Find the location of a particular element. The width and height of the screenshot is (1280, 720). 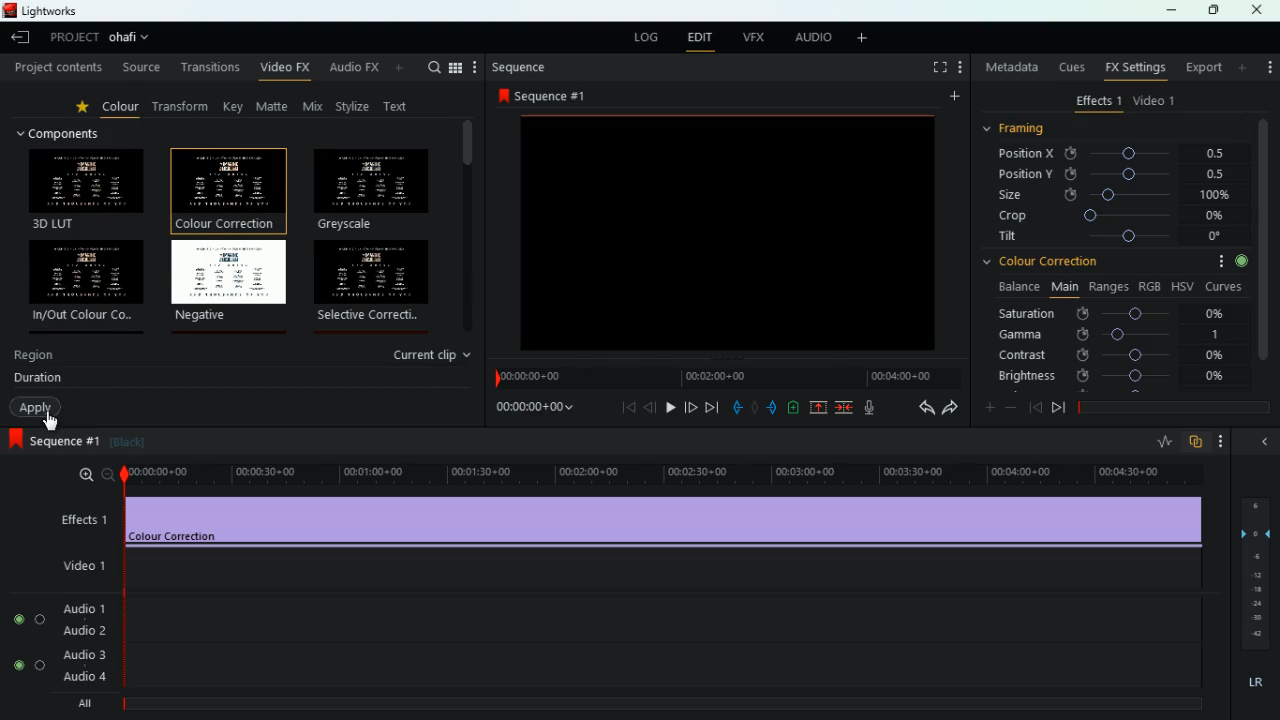

backward is located at coordinates (921, 408).